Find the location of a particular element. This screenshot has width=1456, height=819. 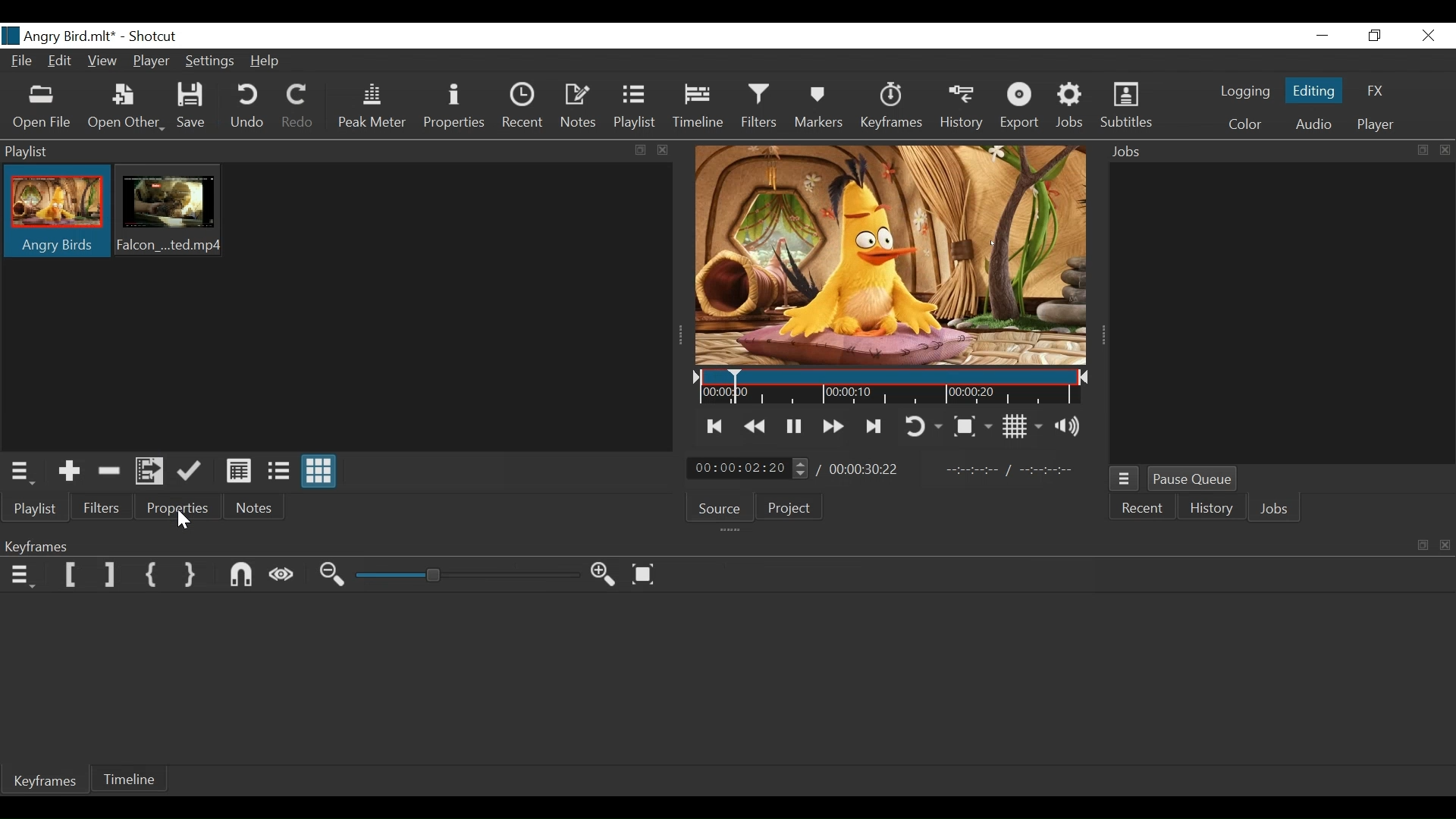

Subtitles is located at coordinates (1127, 108).